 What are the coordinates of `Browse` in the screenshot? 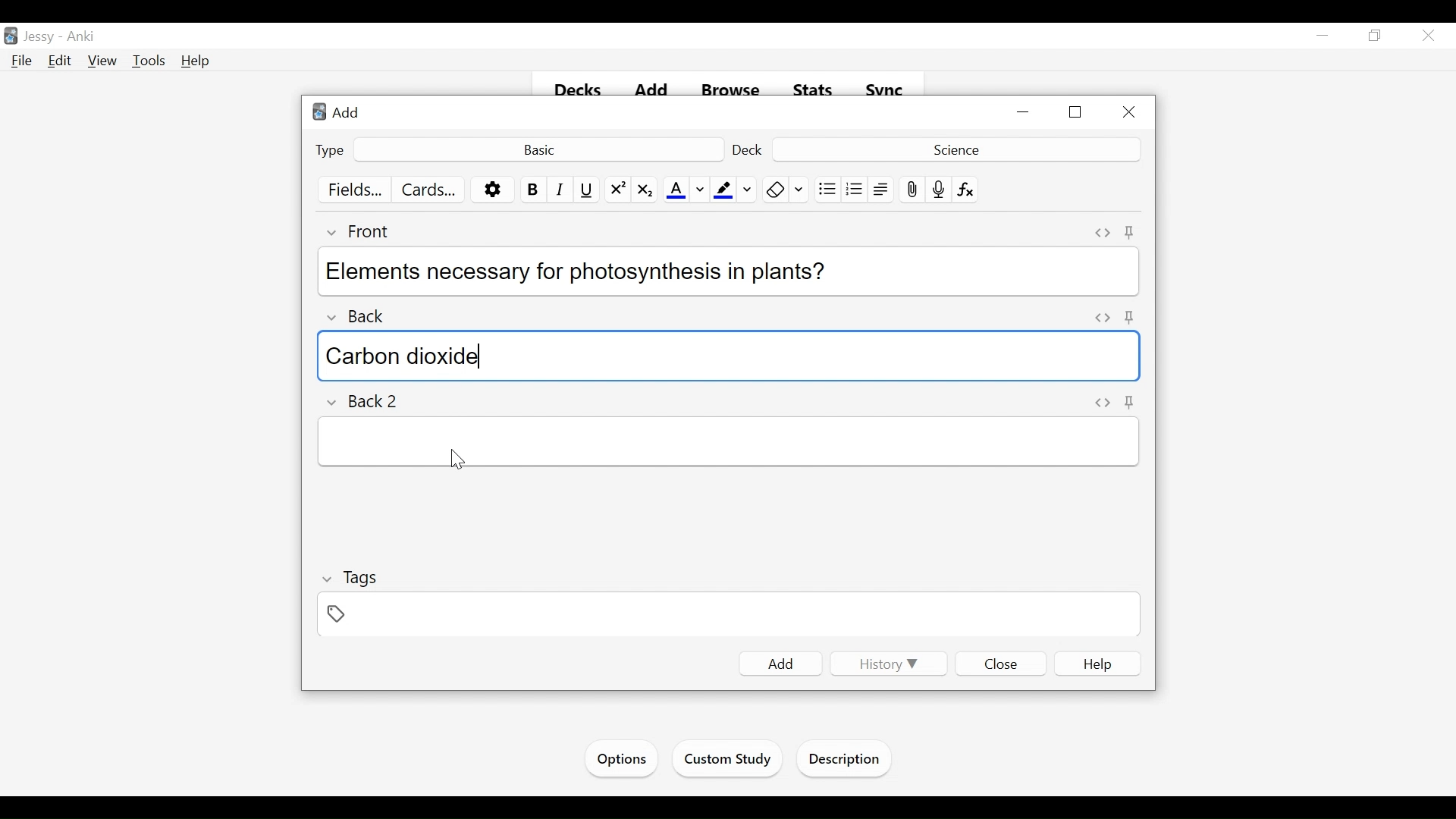 It's located at (733, 91).